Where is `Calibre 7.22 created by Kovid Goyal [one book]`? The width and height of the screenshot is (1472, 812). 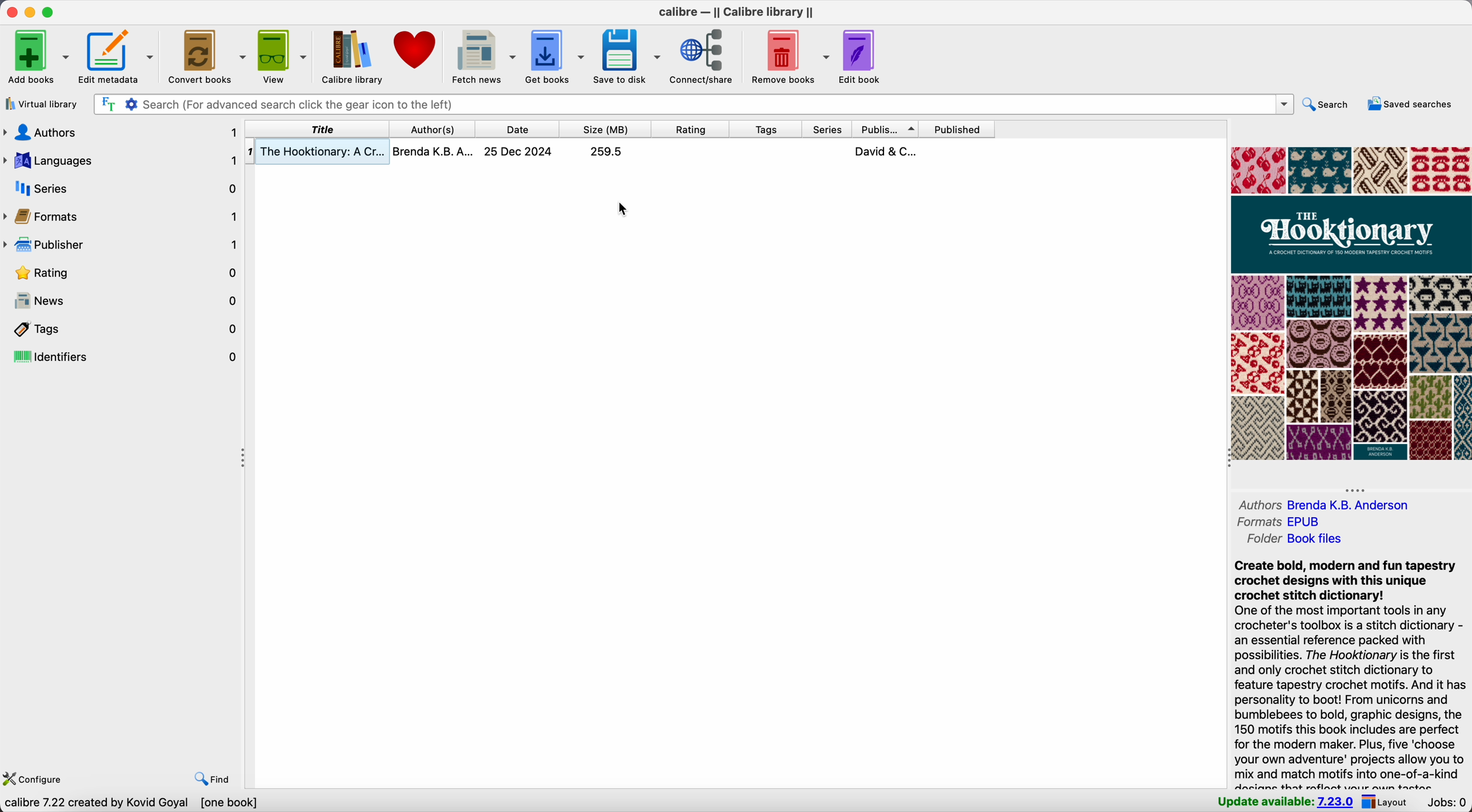 Calibre 7.22 created by Kovid Goyal [one book] is located at coordinates (131, 804).